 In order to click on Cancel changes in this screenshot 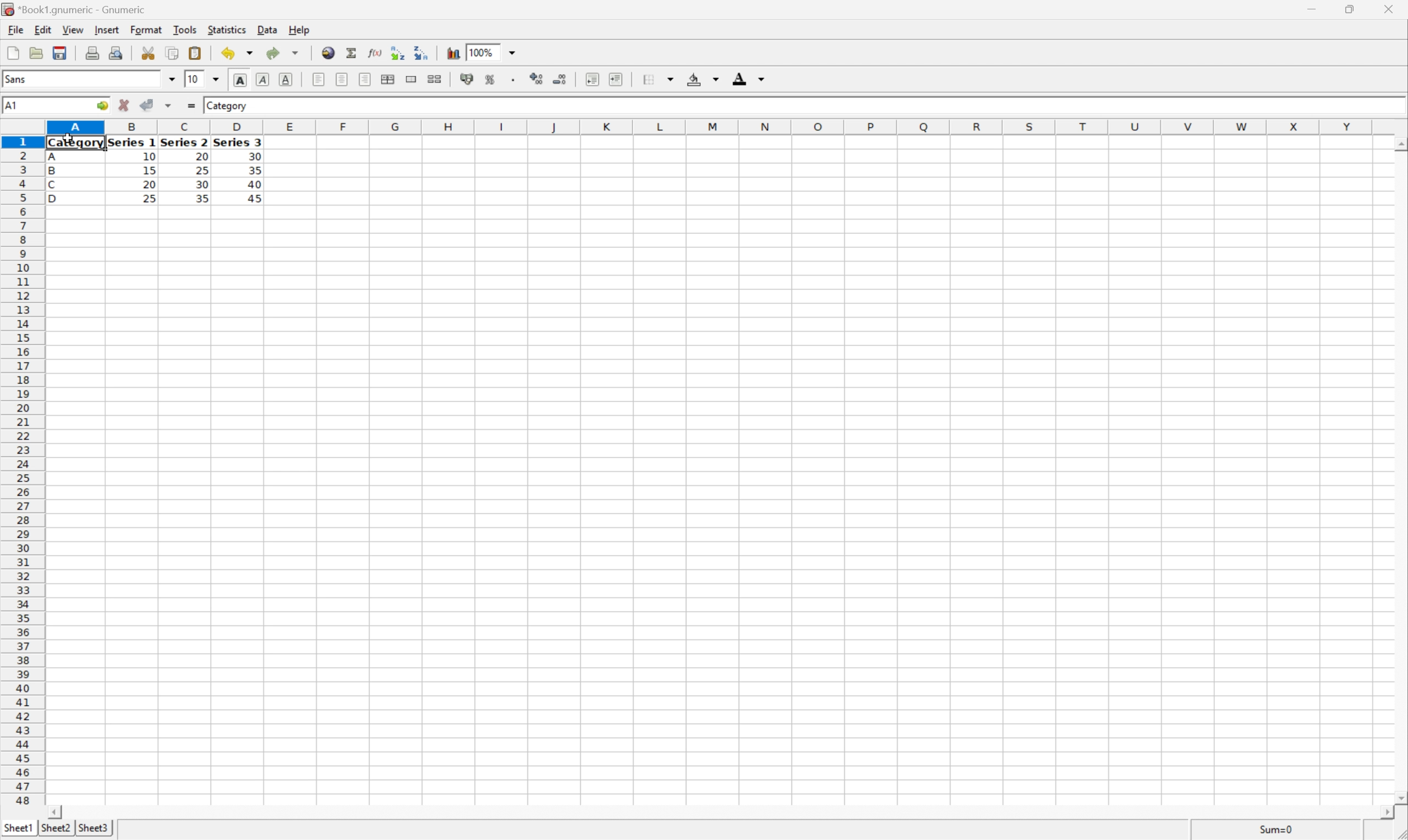, I will do `click(124, 103)`.